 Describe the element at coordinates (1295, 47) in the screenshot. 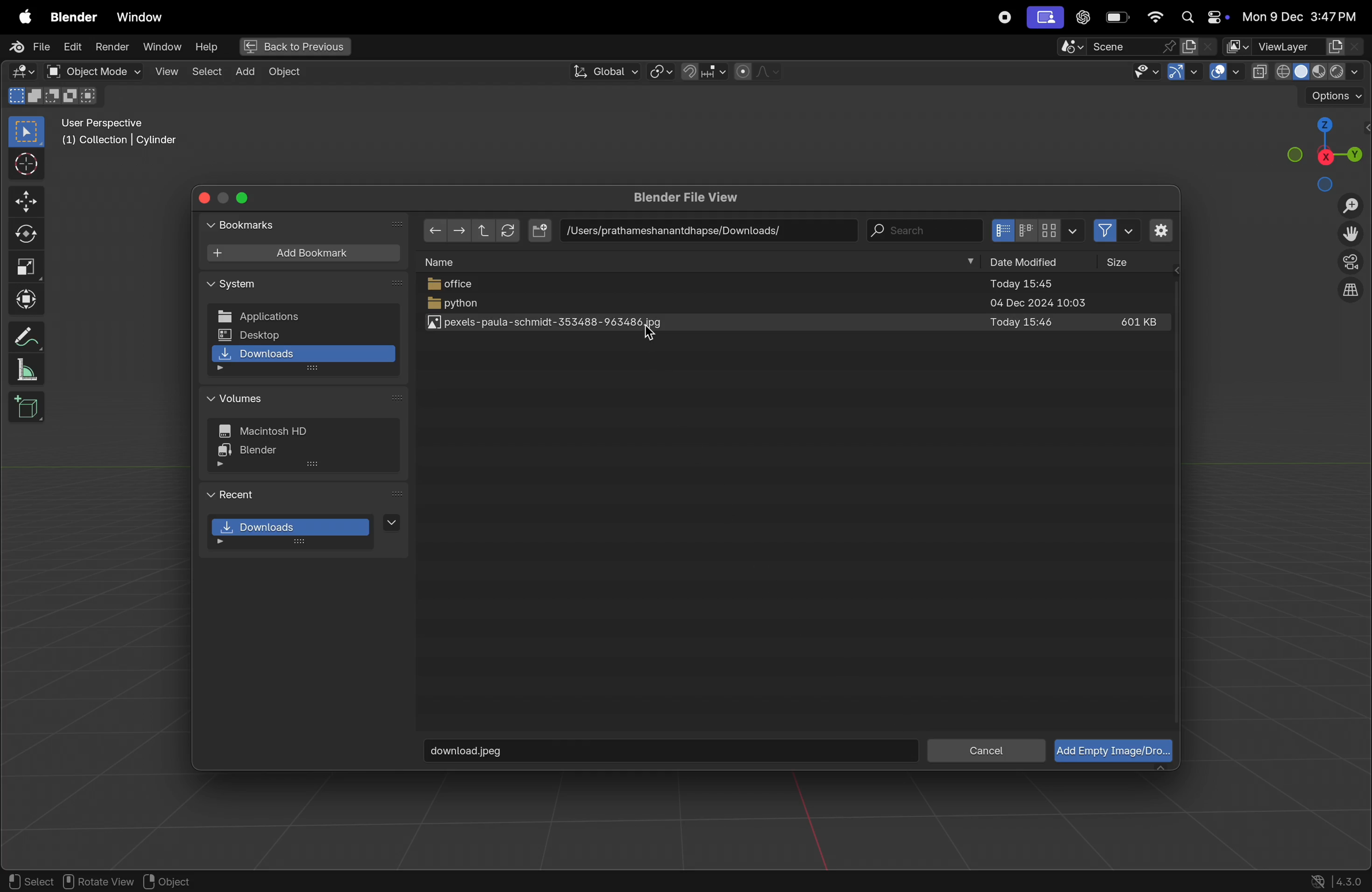

I see `Viewlayer` at that location.